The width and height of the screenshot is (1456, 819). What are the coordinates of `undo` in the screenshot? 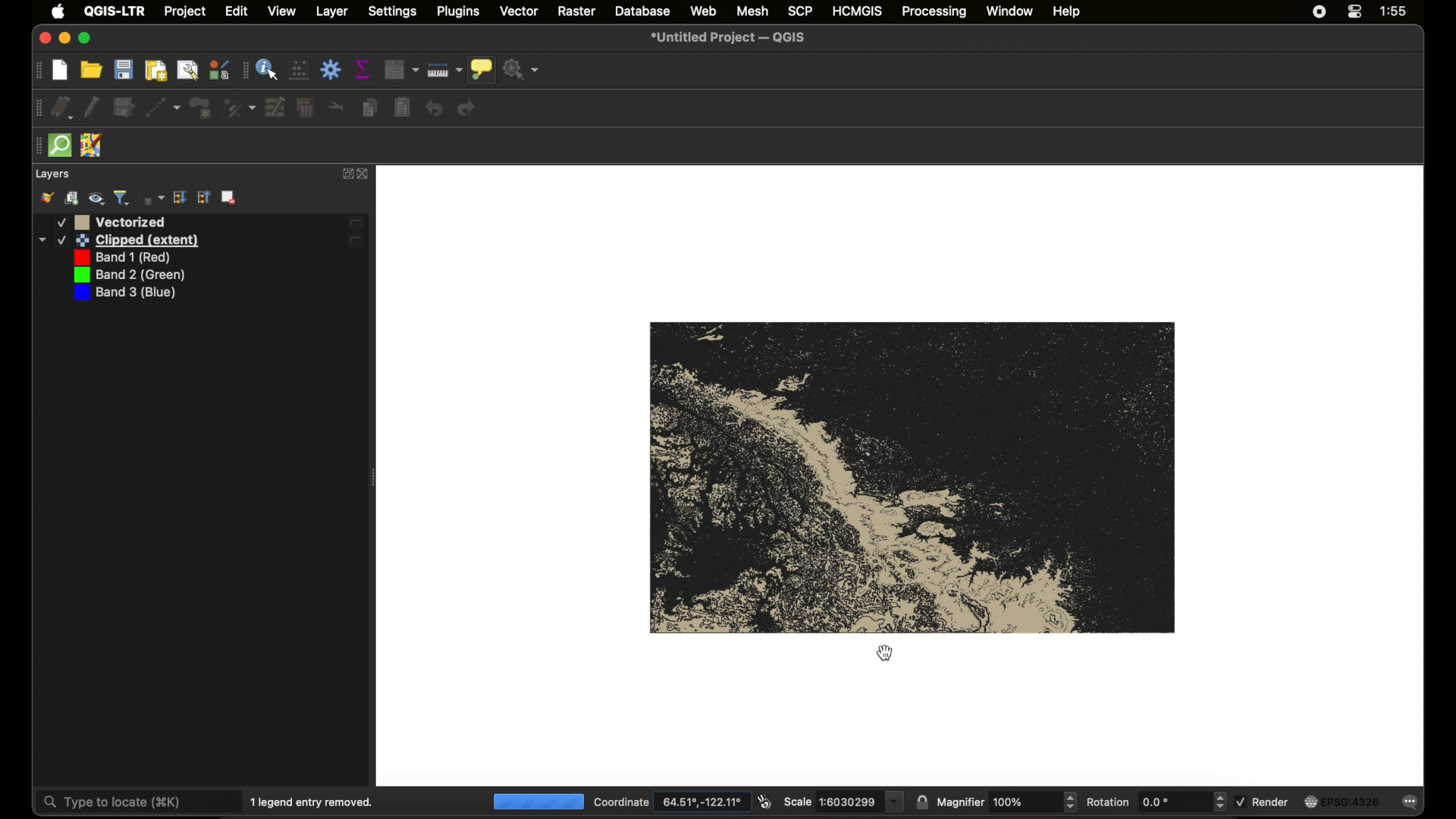 It's located at (434, 108).